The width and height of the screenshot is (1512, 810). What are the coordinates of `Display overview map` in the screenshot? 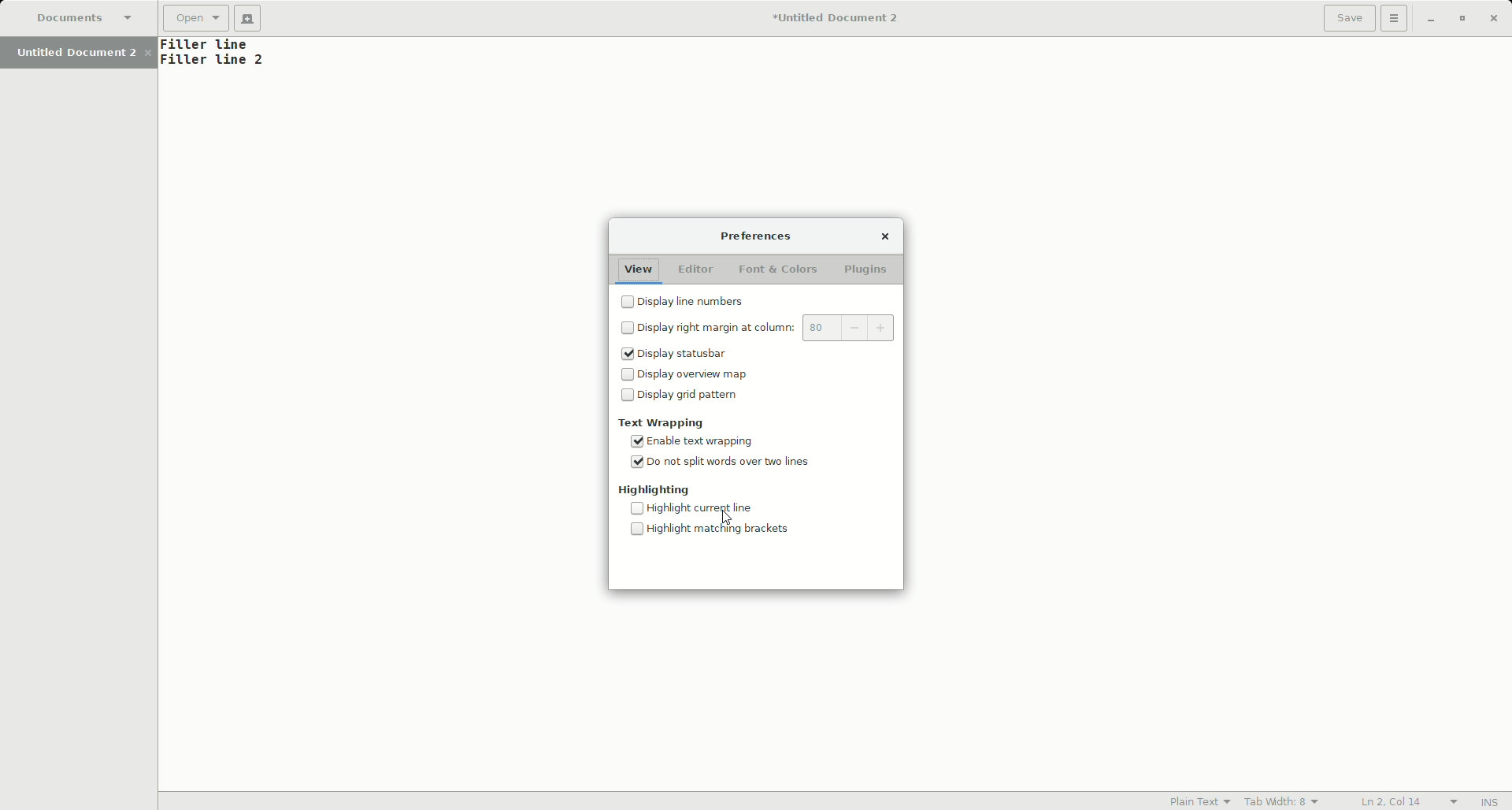 It's located at (684, 376).